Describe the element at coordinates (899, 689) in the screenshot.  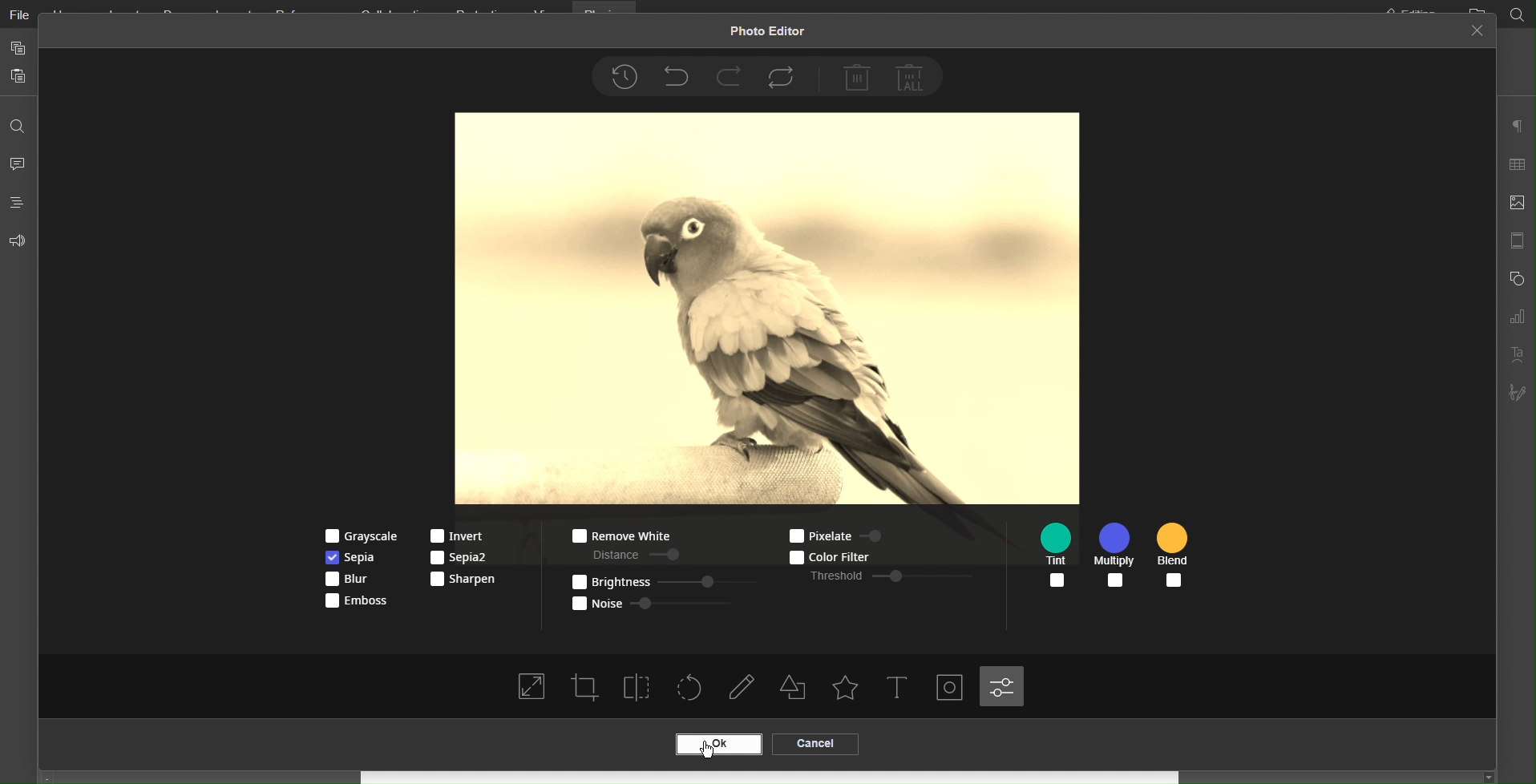
I see `Text` at that location.